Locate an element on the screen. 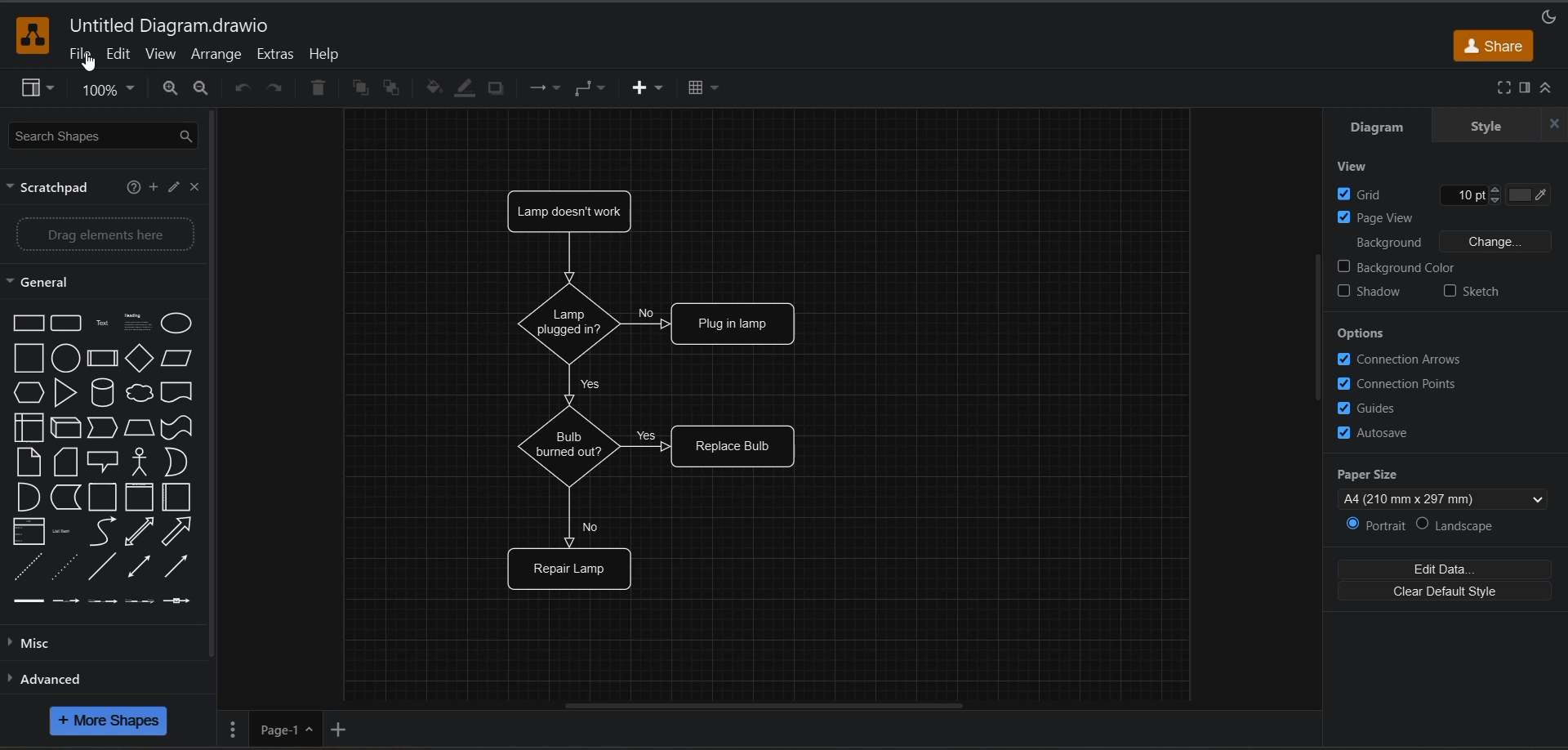 The height and width of the screenshot is (750, 1568). misc is located at coordinates (33, 643).